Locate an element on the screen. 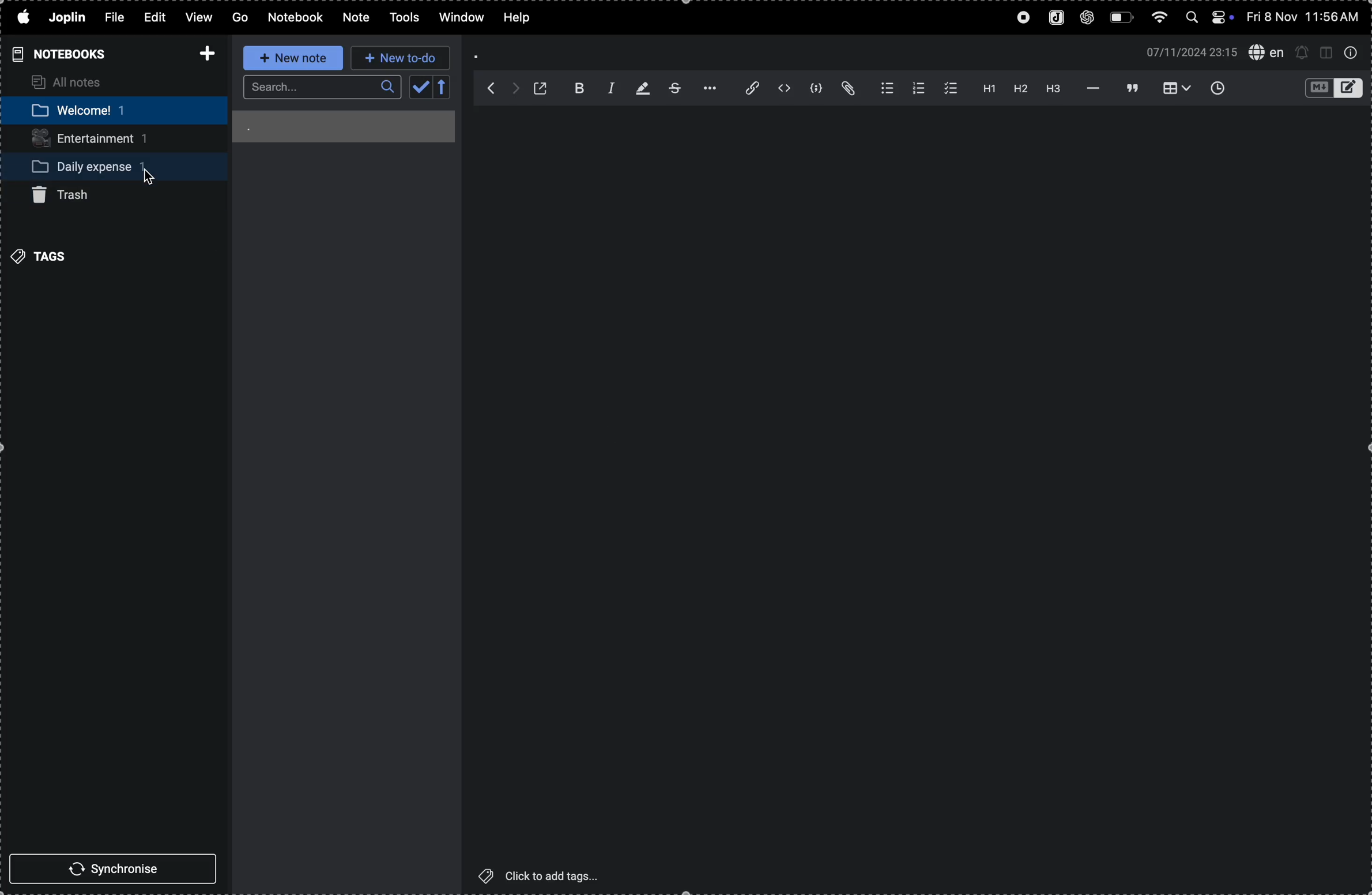 The image size is (1372, 895). heading 1 is located at coordinates (984, 89).